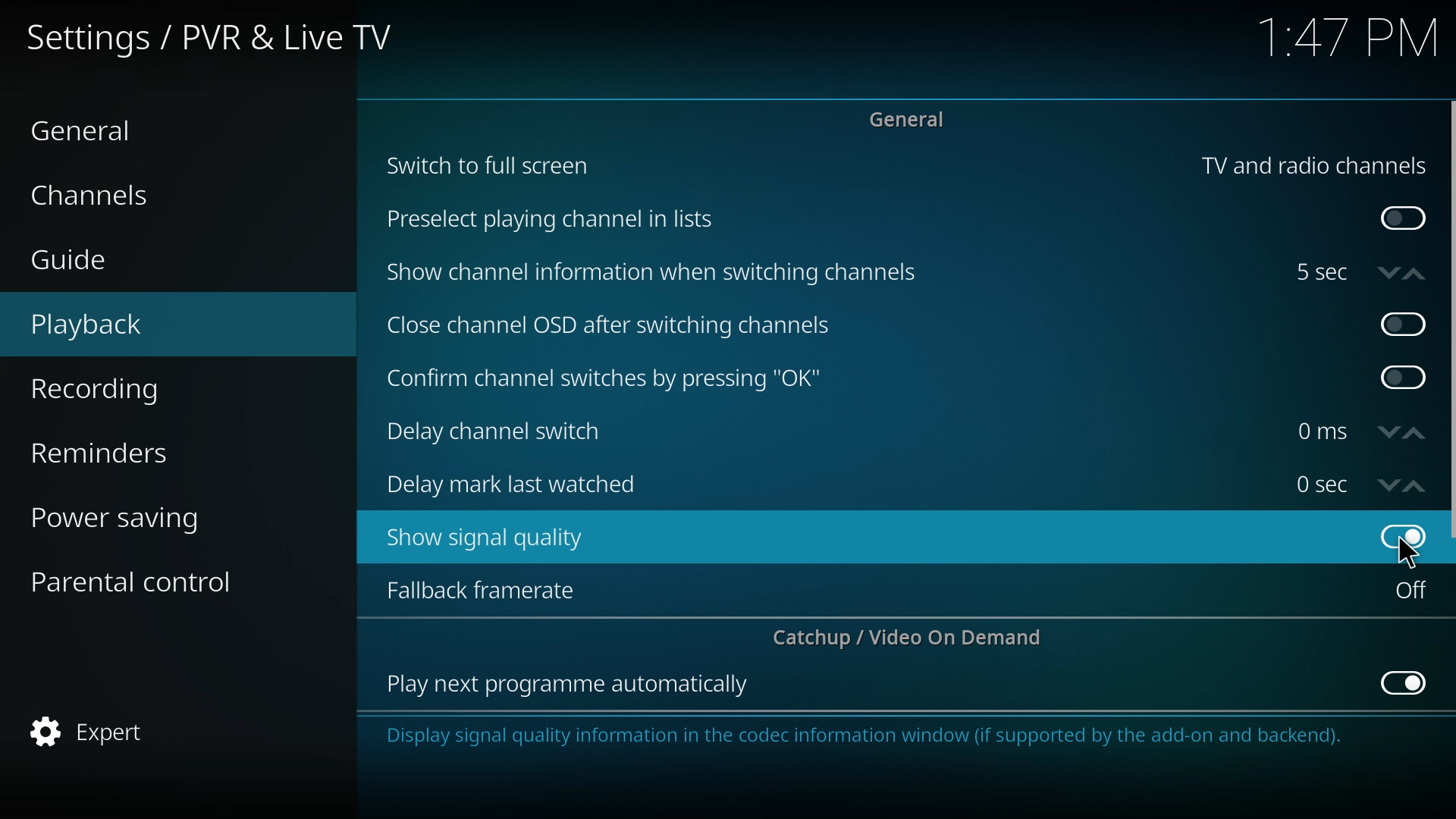  What do you see at coordinates (871, 736) in the screenshot?
I see `info` at bounding box center [871, 736].